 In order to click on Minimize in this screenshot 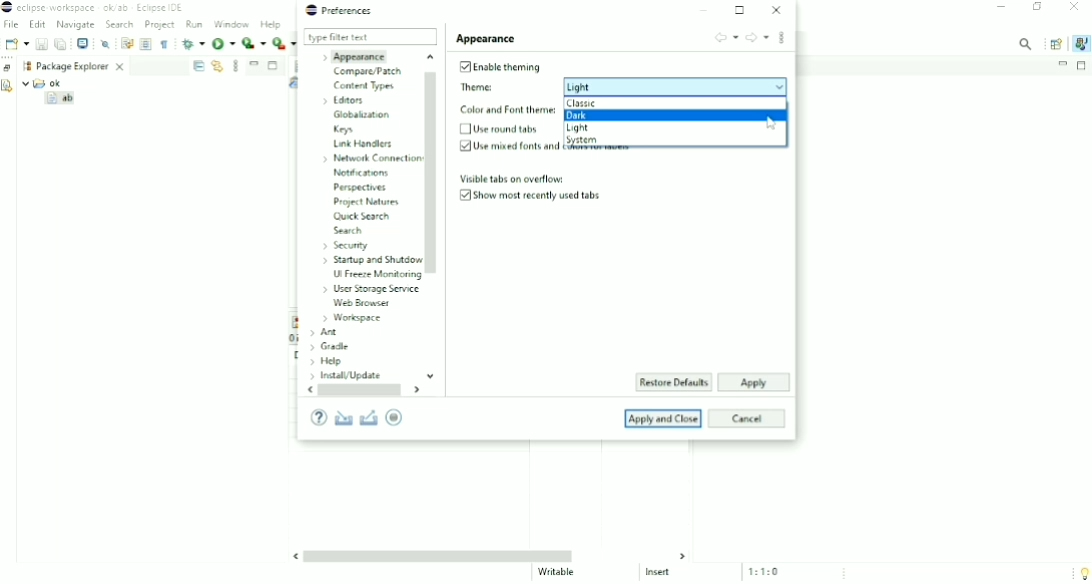, I will do `click(254, 63)`.